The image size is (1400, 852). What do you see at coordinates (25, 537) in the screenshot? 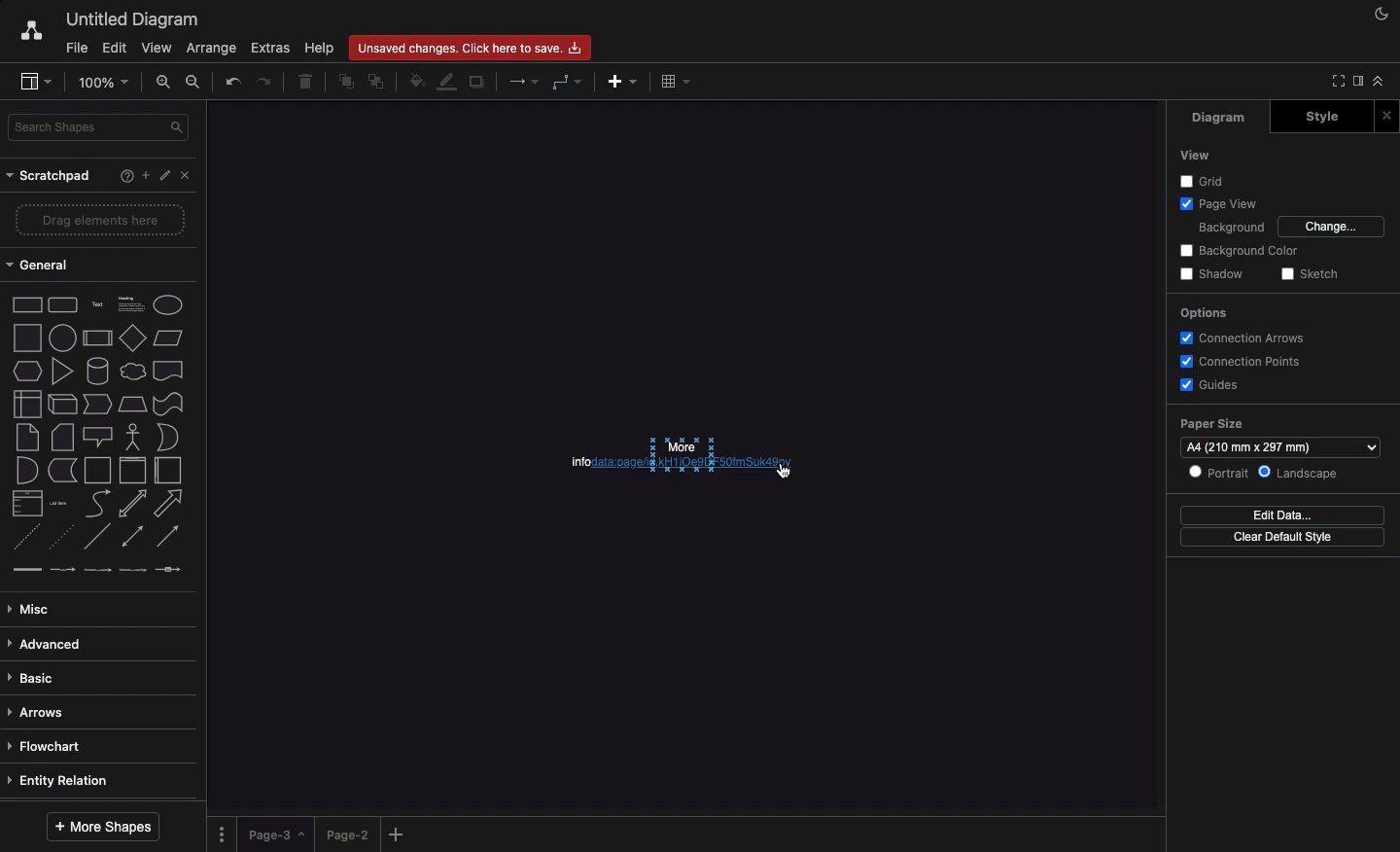
I see `dashed line` at bounding box center [25, 537].